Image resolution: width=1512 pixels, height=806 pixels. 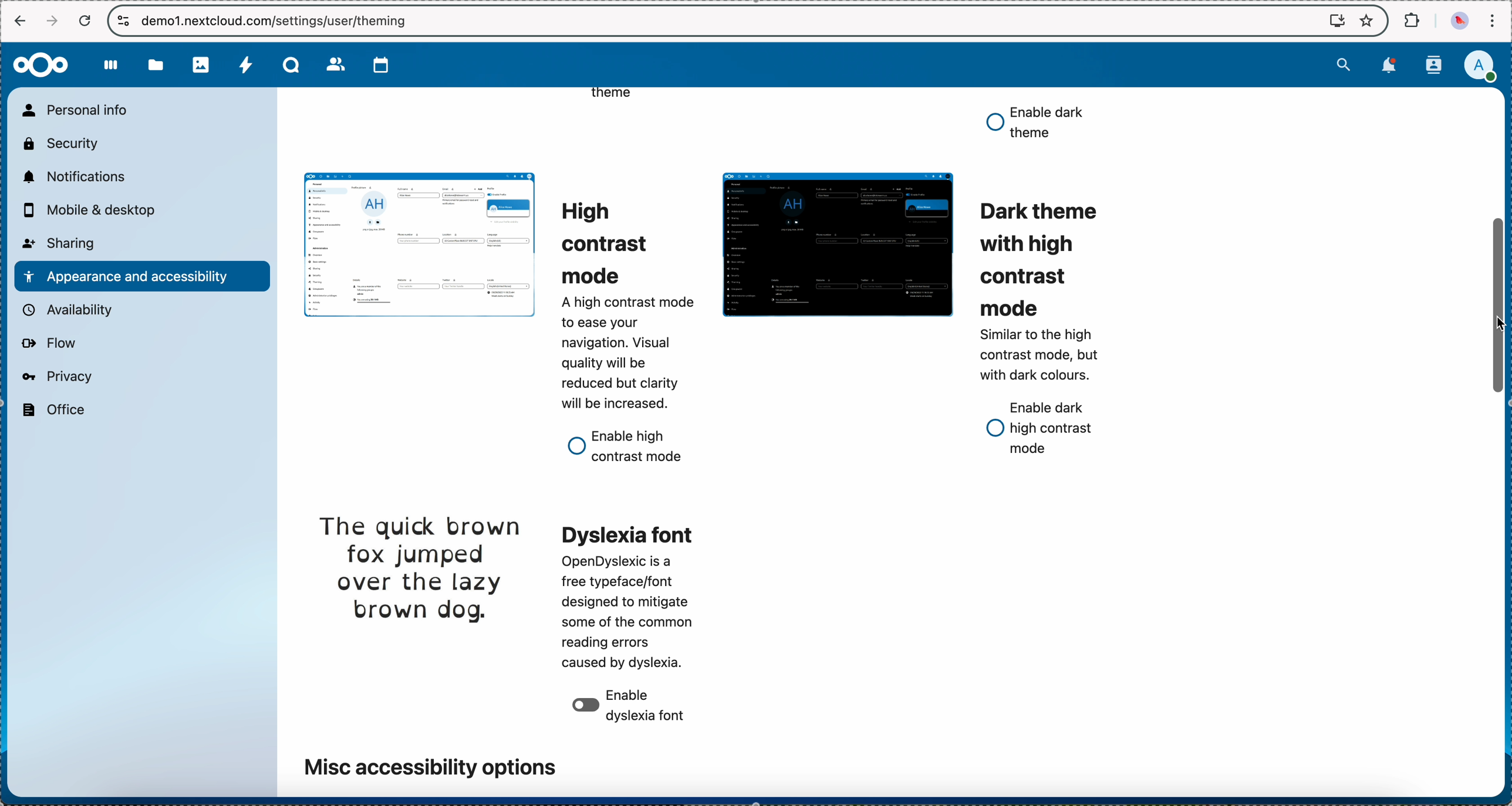 What do you see at coordinates (1493, 304) in the screenshot?
I see `click on scroll bar` at bounding box center [1493, 304].